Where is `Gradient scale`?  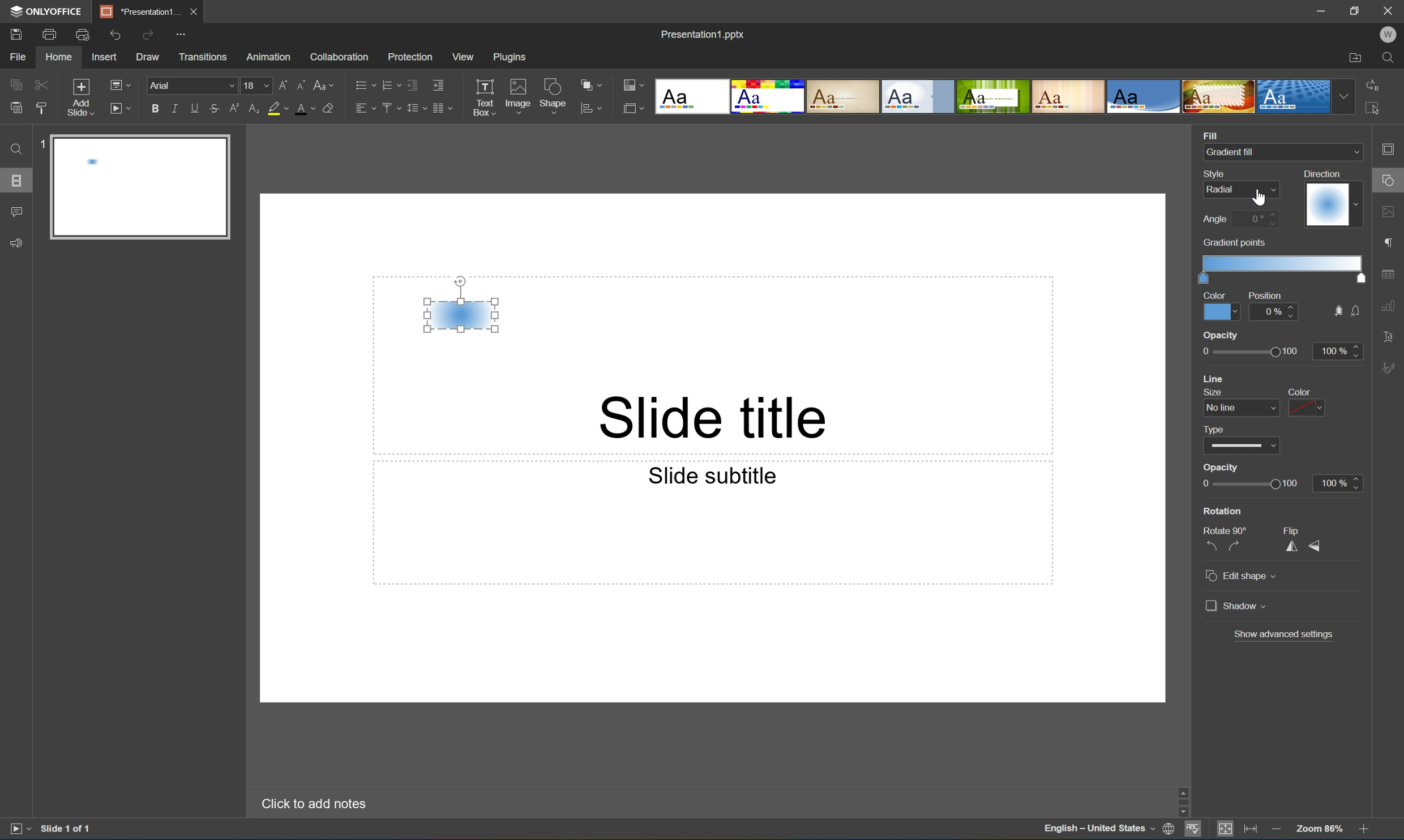 Gradient scale is located at coordinates (1282, 263).